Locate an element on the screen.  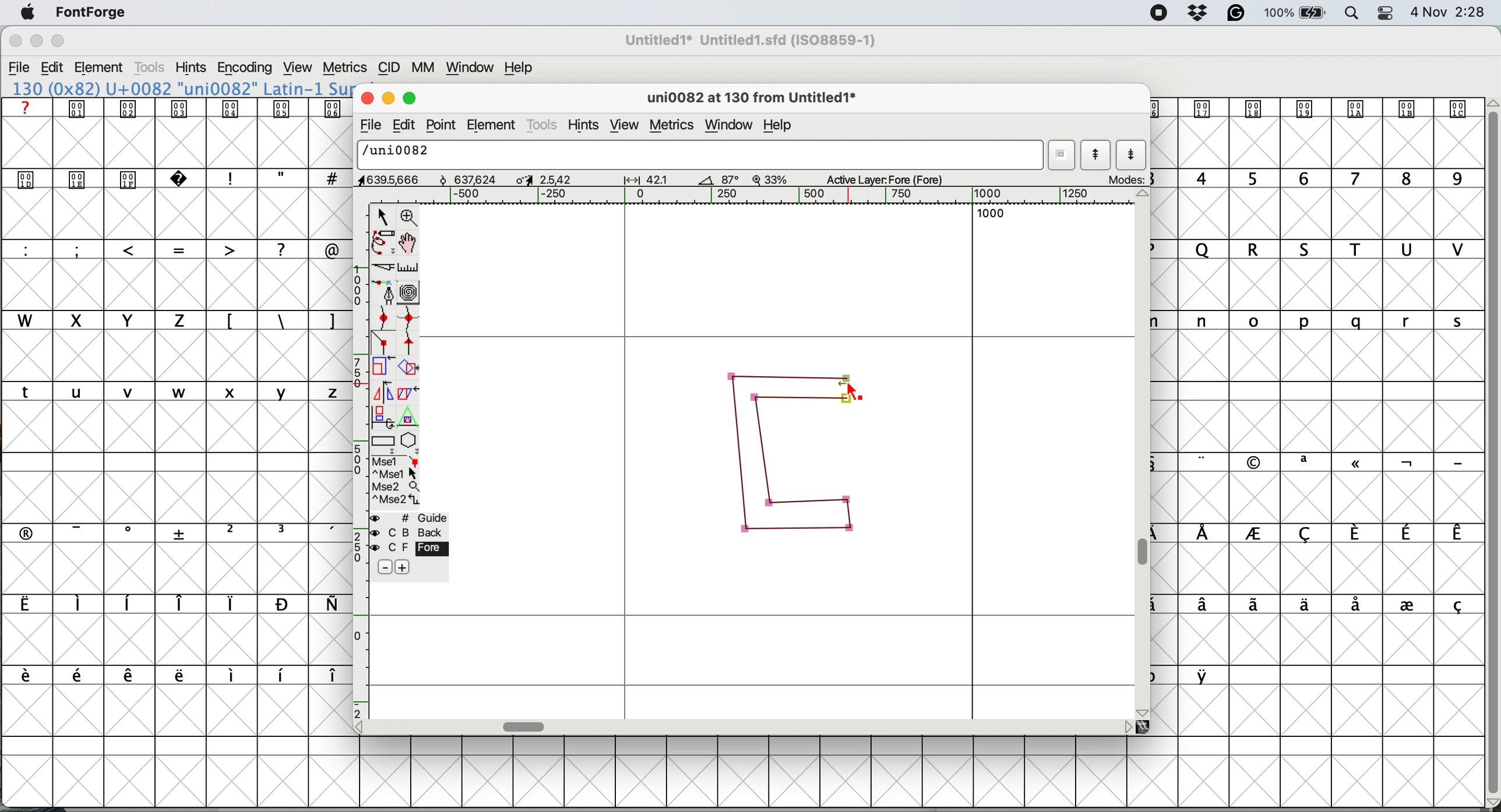
selections is located at coordinates (397, 482).